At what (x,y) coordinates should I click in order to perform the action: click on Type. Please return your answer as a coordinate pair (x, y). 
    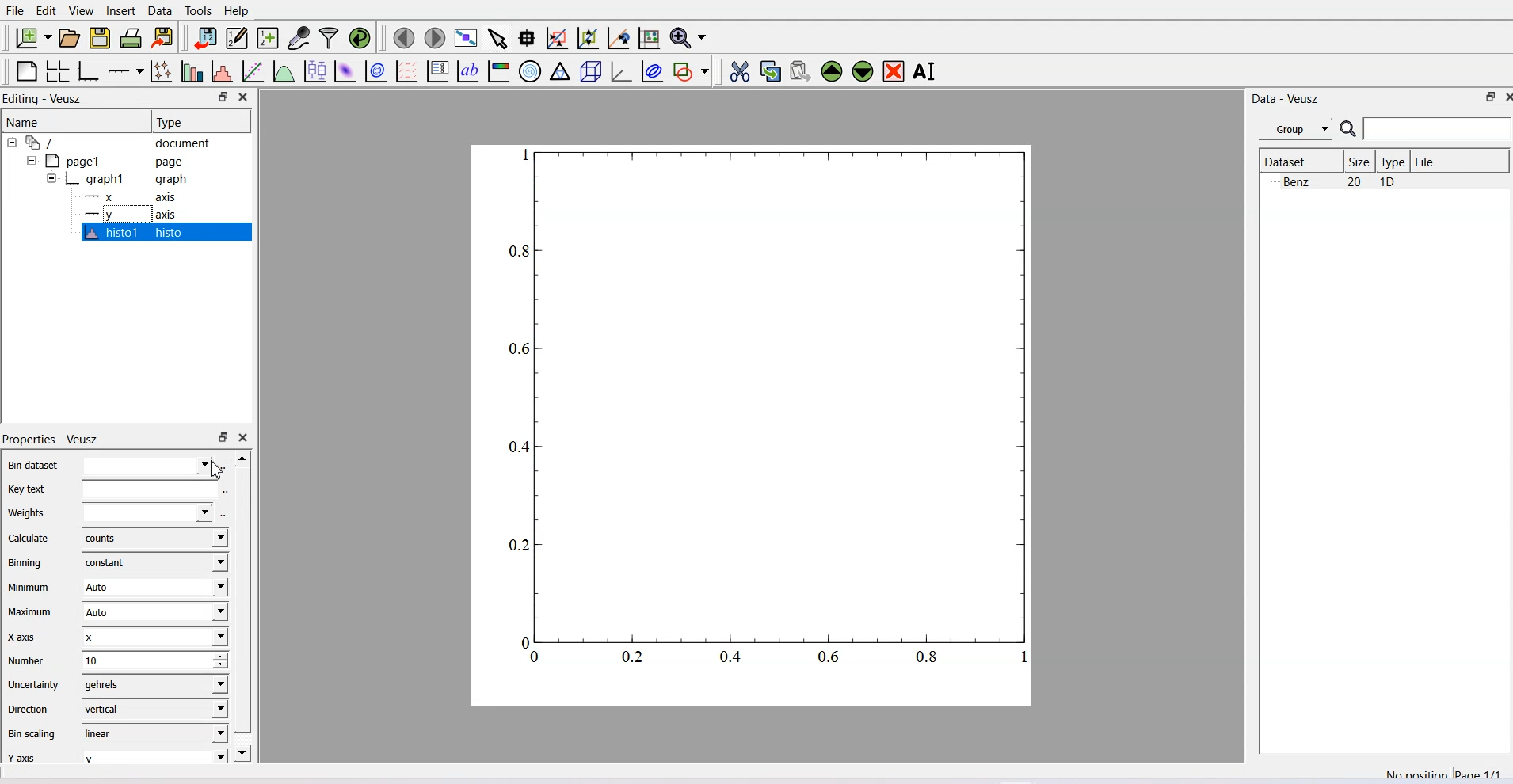
    Looking at the image, I should click on (1394, 161).